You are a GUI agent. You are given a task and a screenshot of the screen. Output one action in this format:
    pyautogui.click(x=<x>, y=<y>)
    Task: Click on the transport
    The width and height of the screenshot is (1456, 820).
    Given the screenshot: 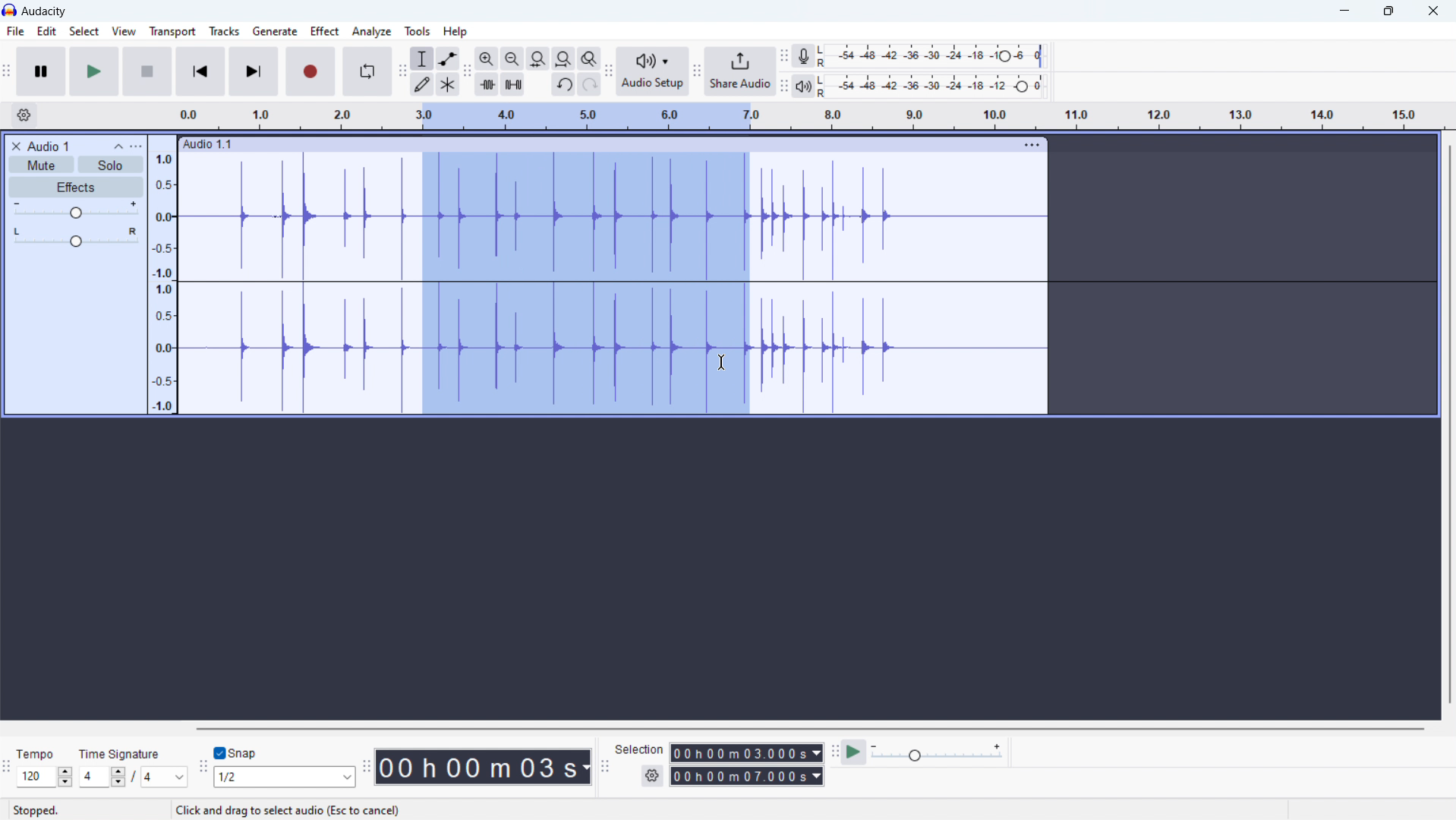 What is the action you would take?
    pyautogui.click(x=172, y=31)
    